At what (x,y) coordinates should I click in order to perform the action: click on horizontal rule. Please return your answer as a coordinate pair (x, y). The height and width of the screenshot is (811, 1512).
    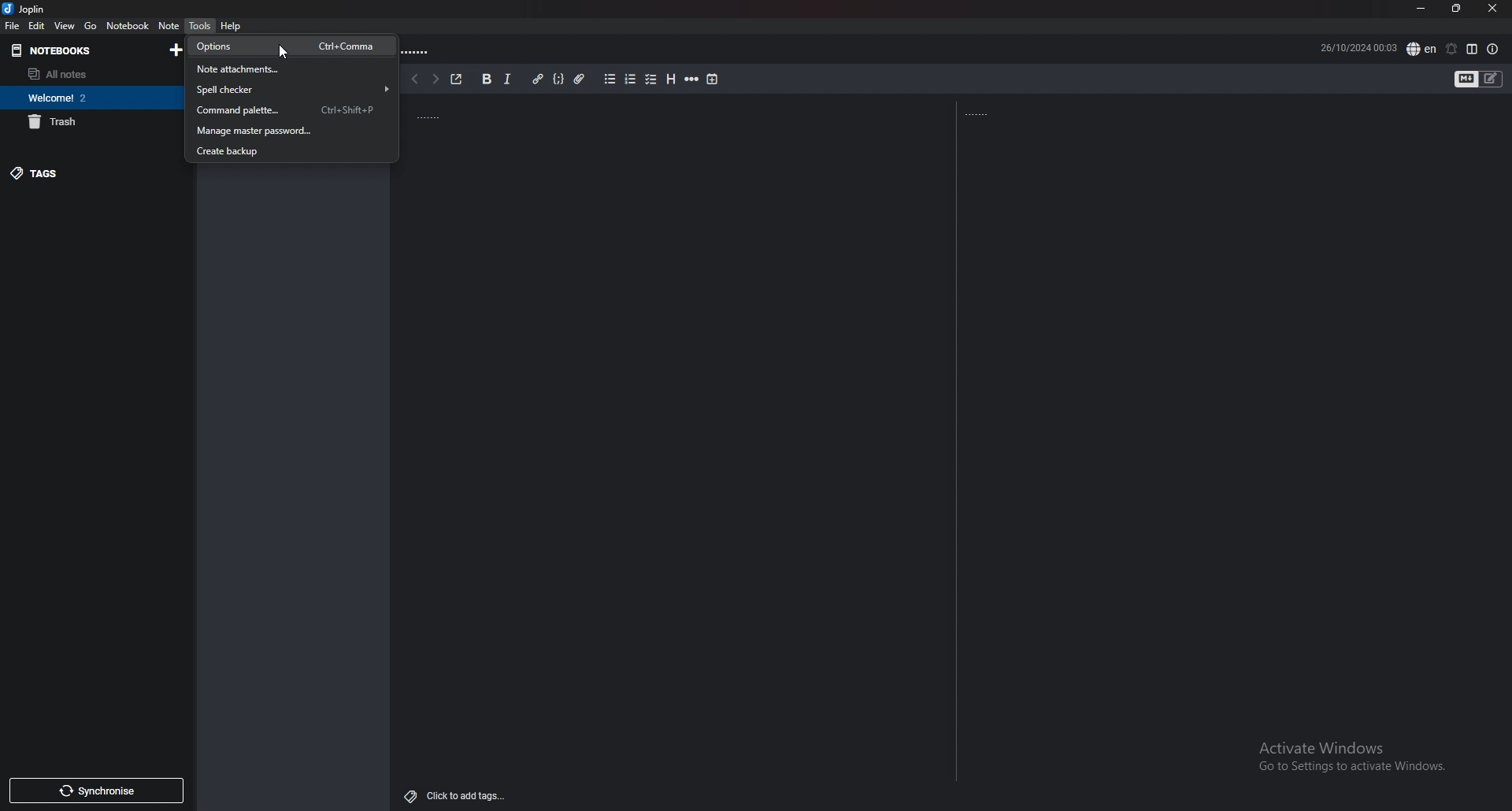
    Looking at the image, I should click on (692, 80).